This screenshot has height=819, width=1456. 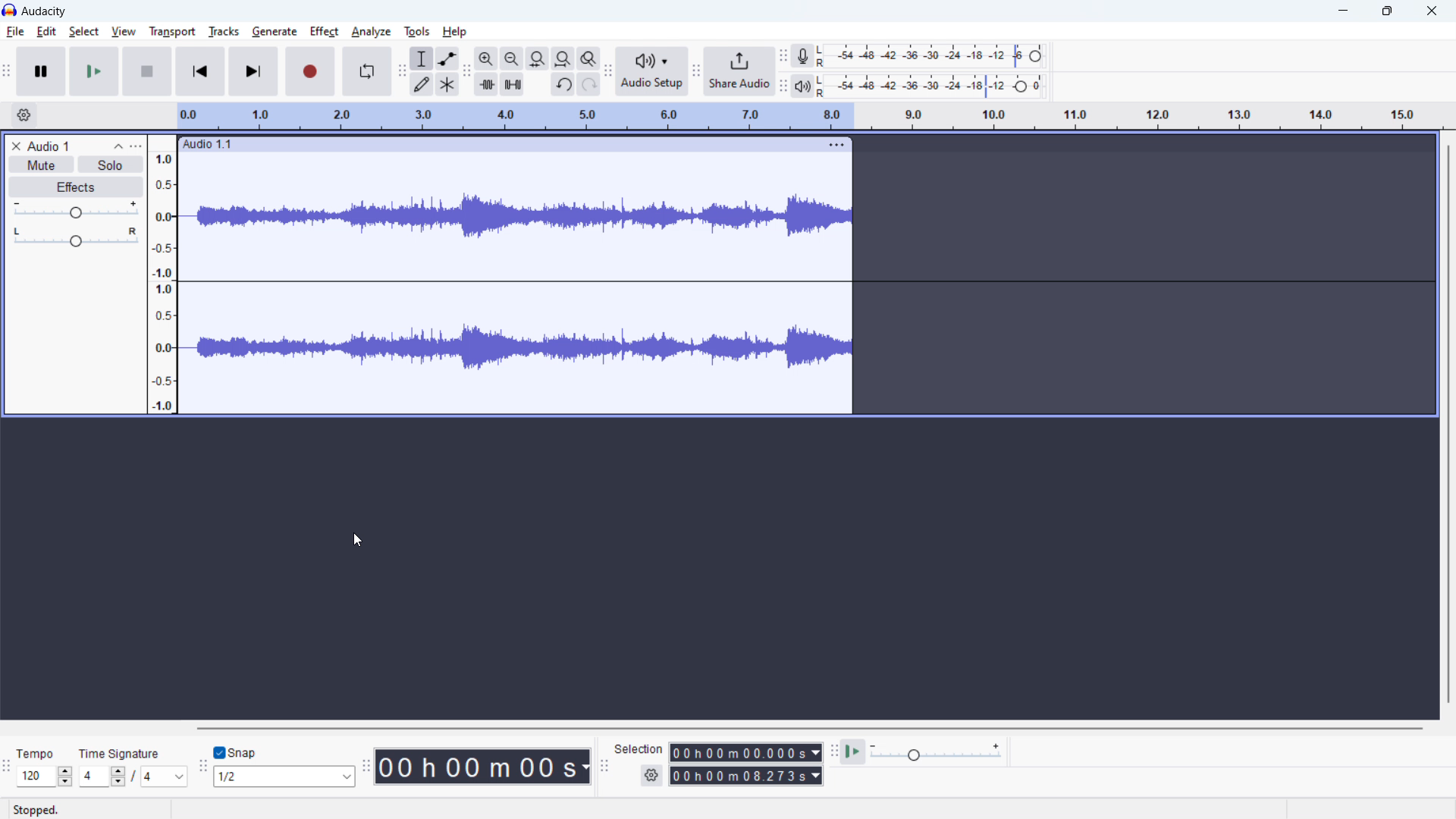 What do you see at coordinates (745, 752) in the screenshot?
I see `start time` at bounding box center [745, 752].